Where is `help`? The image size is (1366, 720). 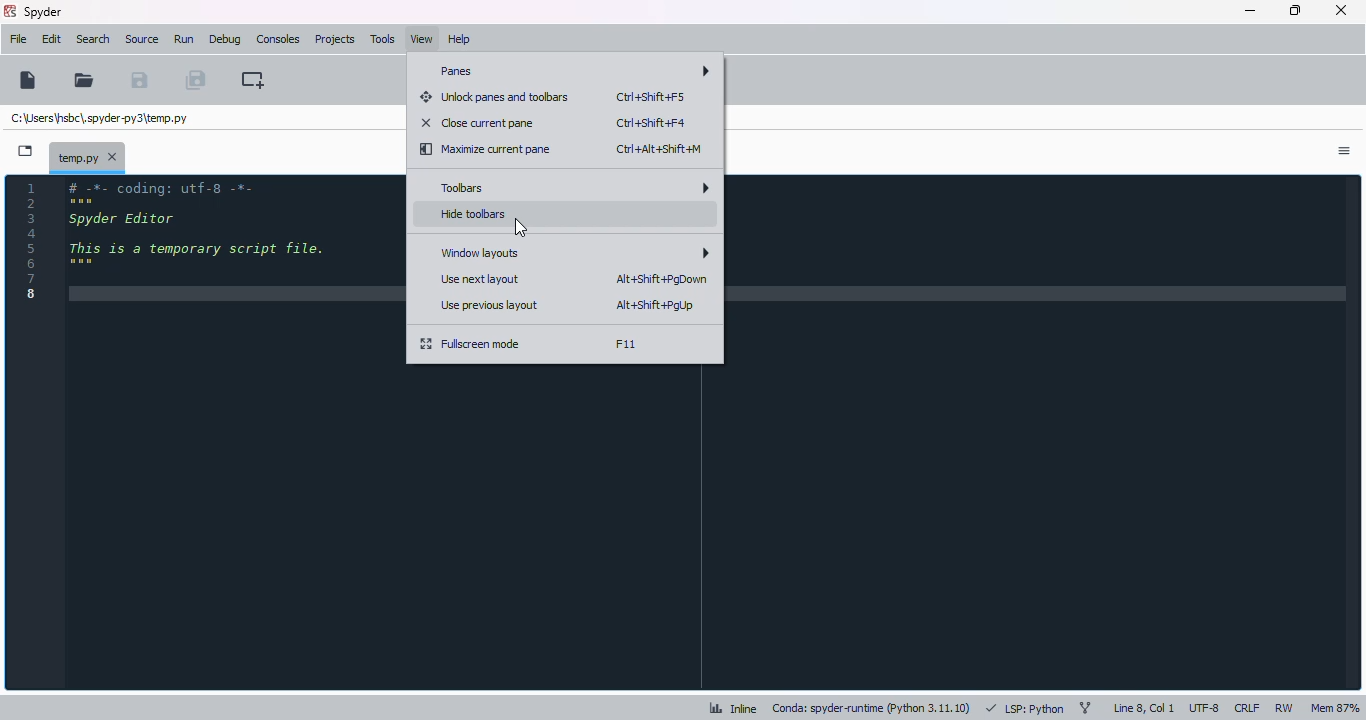 help is located at coordinates (458, 40).